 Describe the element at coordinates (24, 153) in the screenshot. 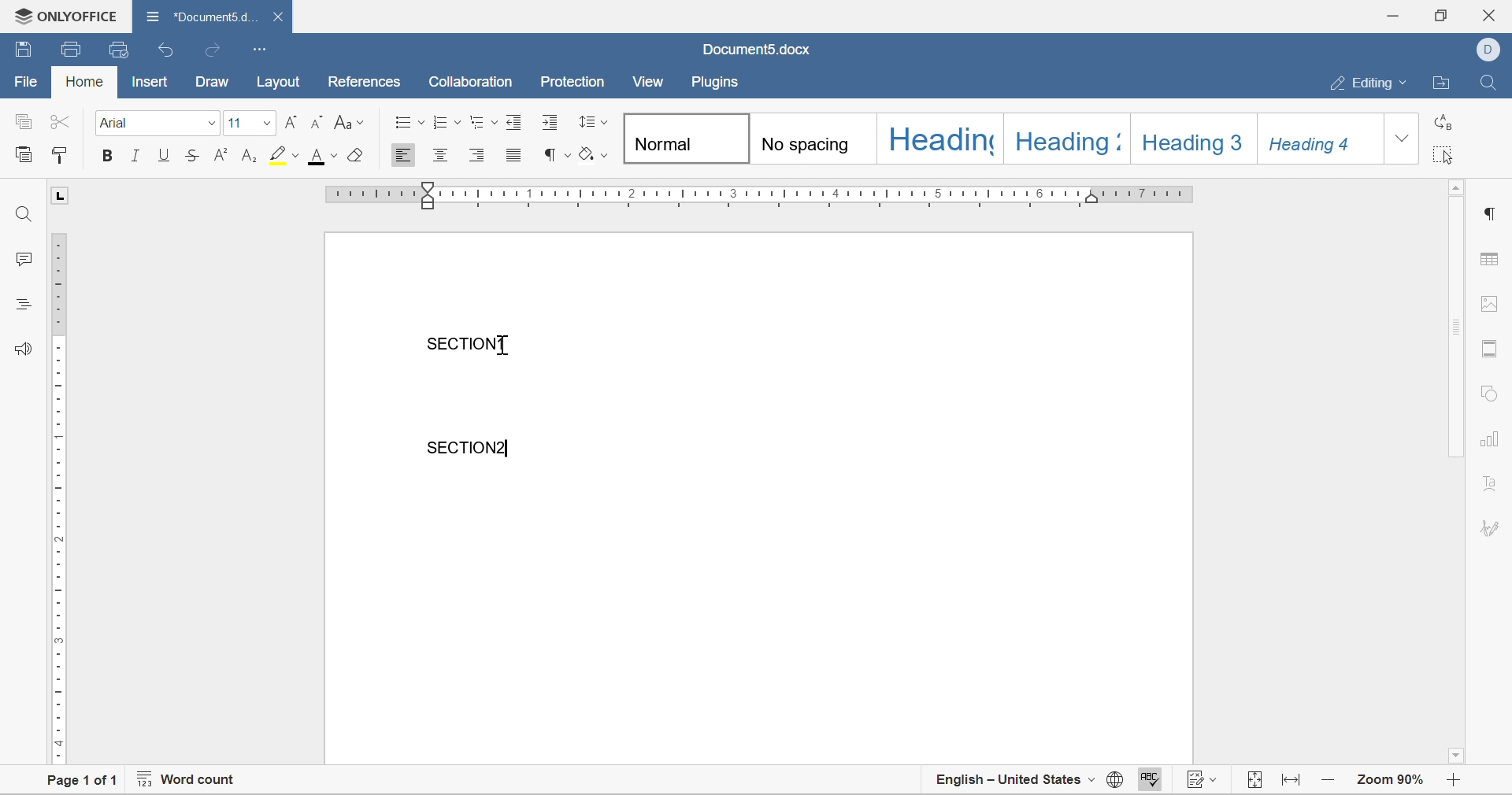

I see `paste` at that location.